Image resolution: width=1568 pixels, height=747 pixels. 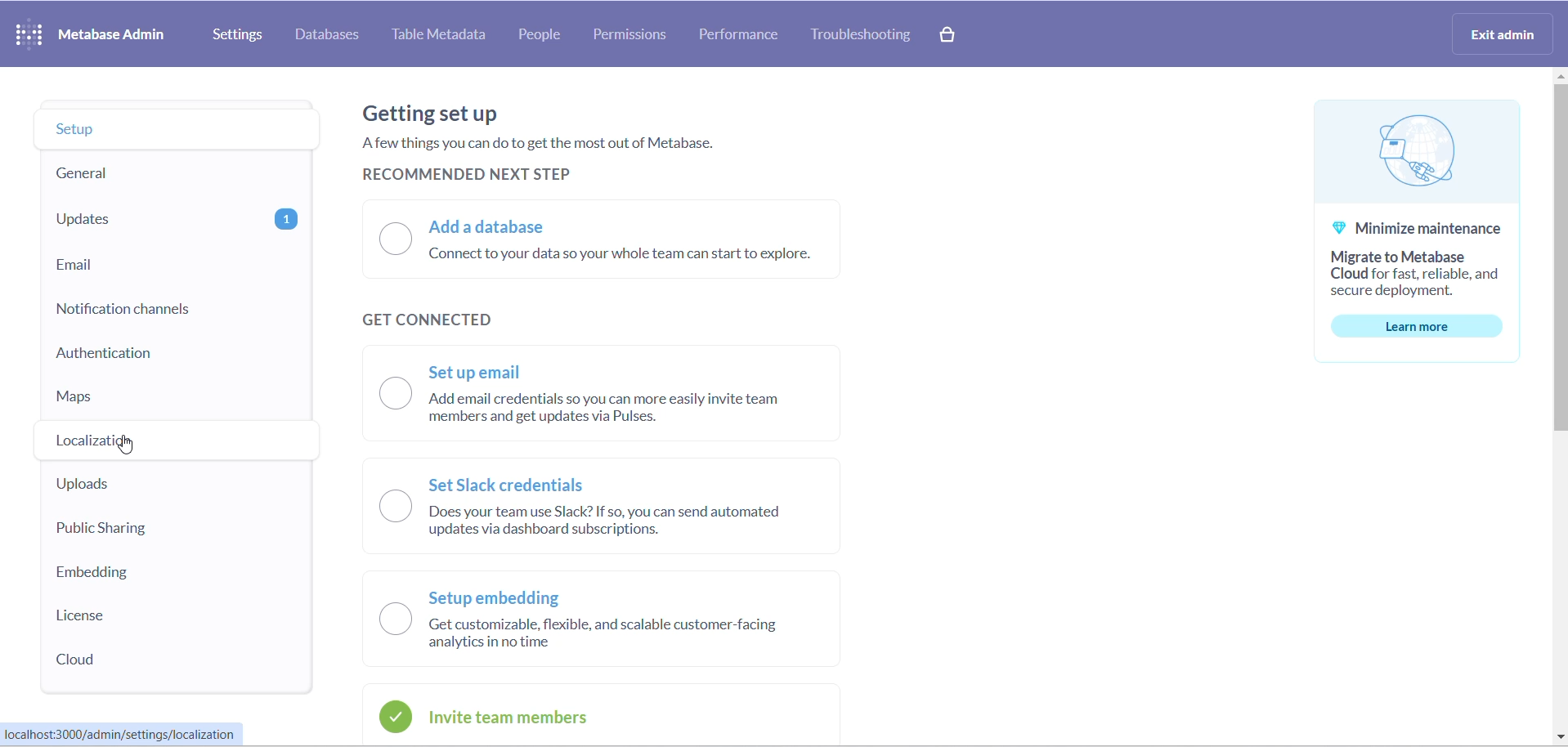 I want to click on add database radio button, so click(x=620, y=238).